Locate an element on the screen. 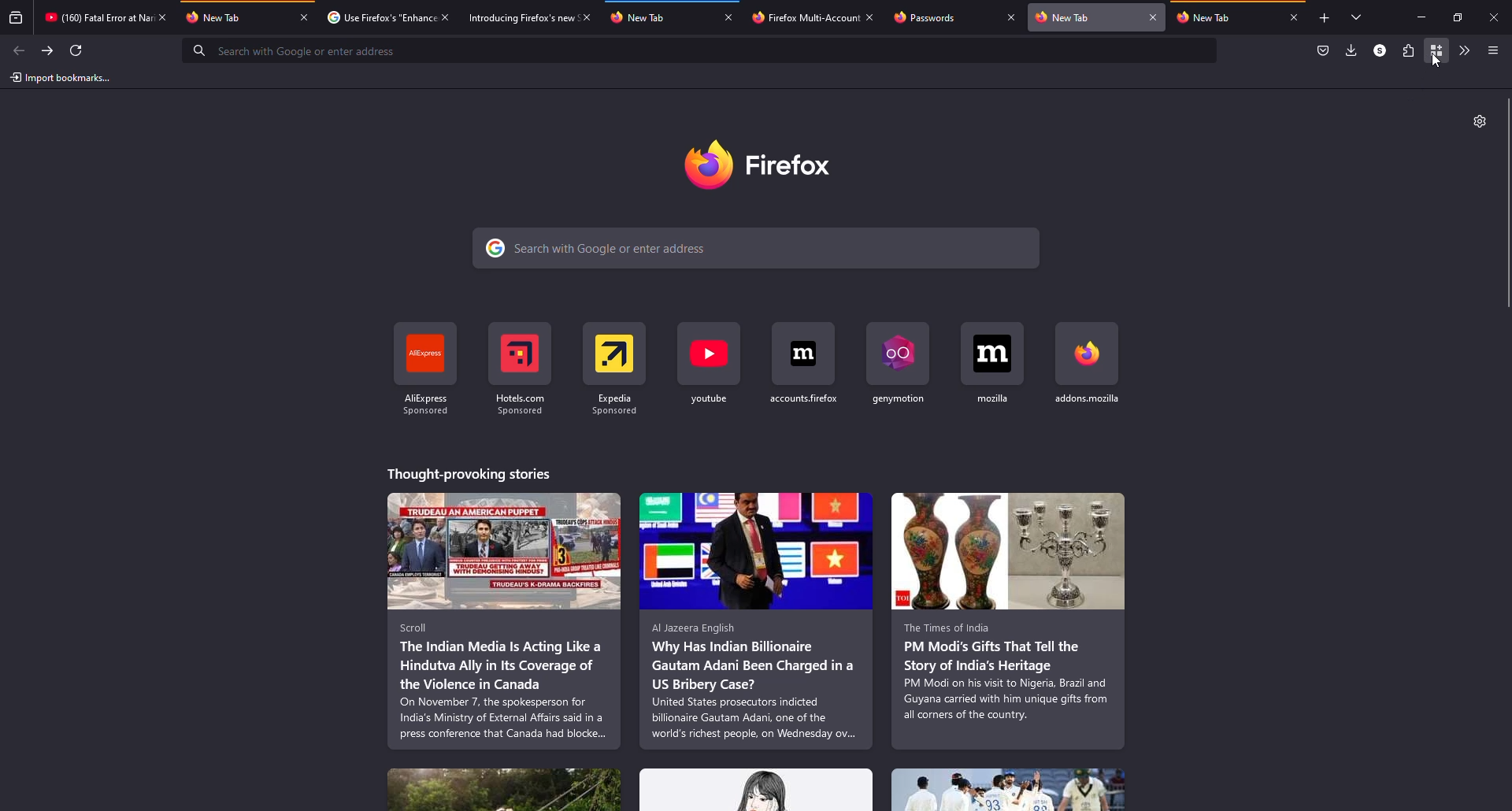 This screenshot has height=811, width=1512. firefox is located at coordinates (778, 165).